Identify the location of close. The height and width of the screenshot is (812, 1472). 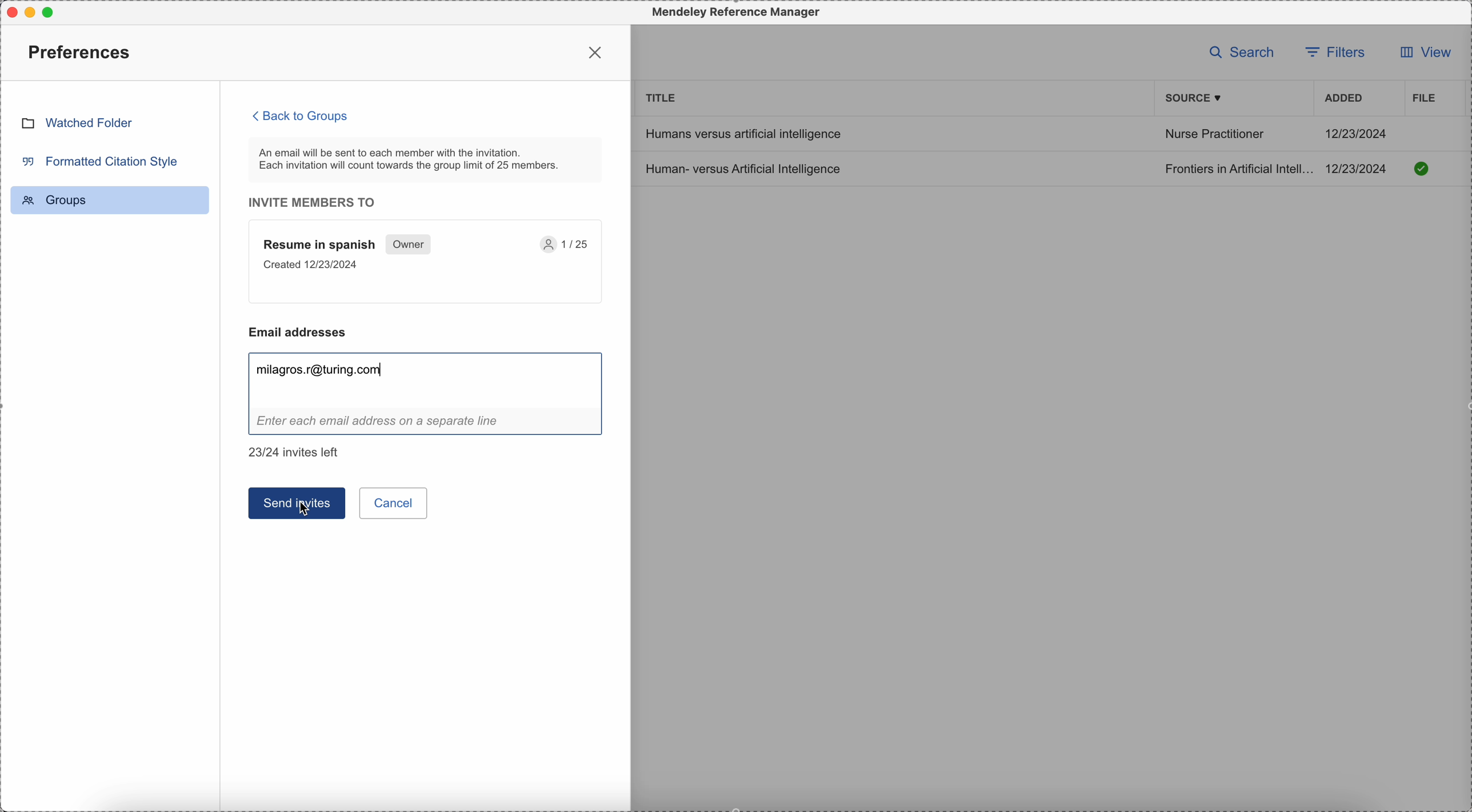
(597, 52).